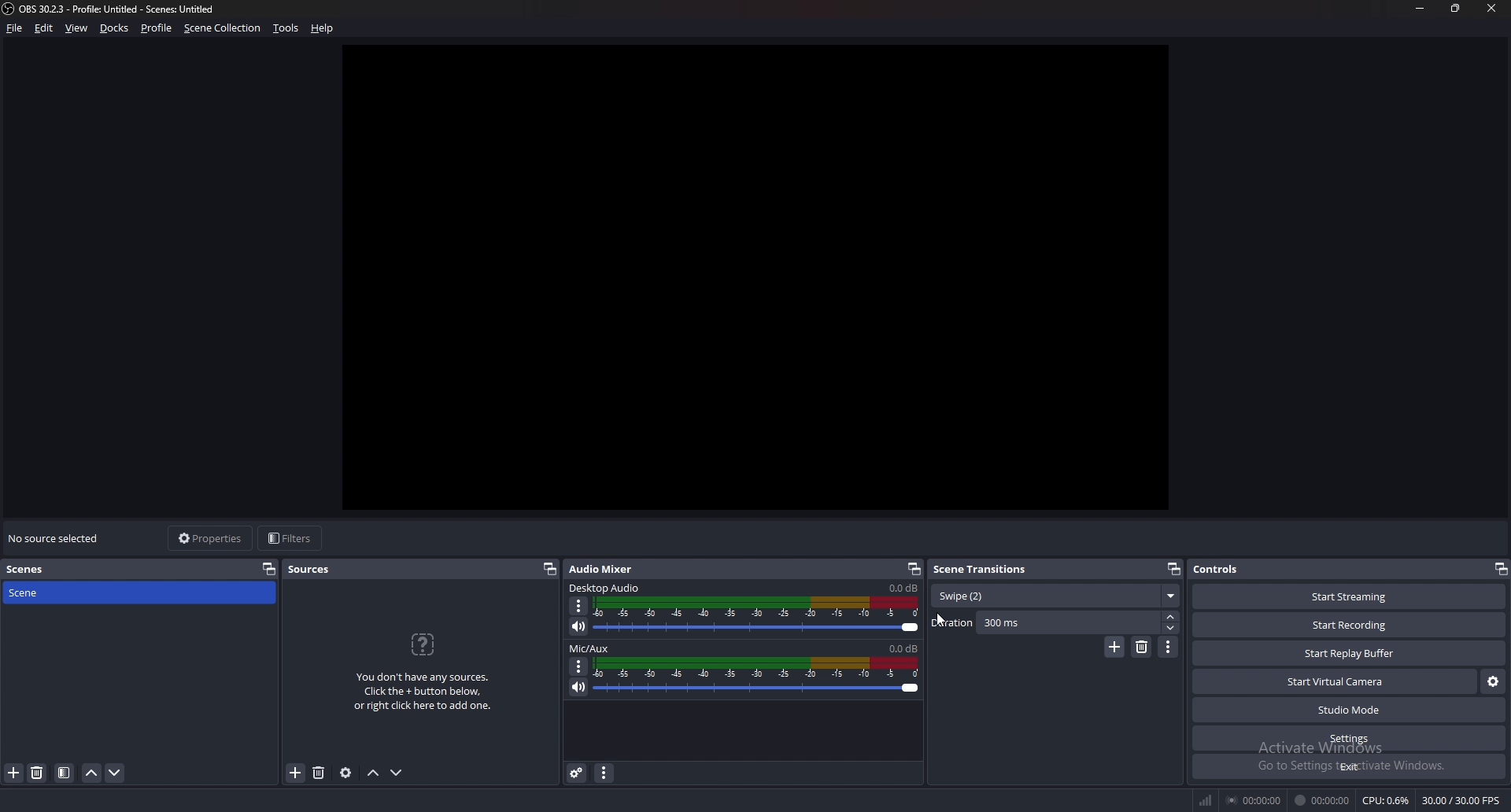  Describe the element at coordinates (1349, 597) in the screenshot. I see `start streaming` at that location.